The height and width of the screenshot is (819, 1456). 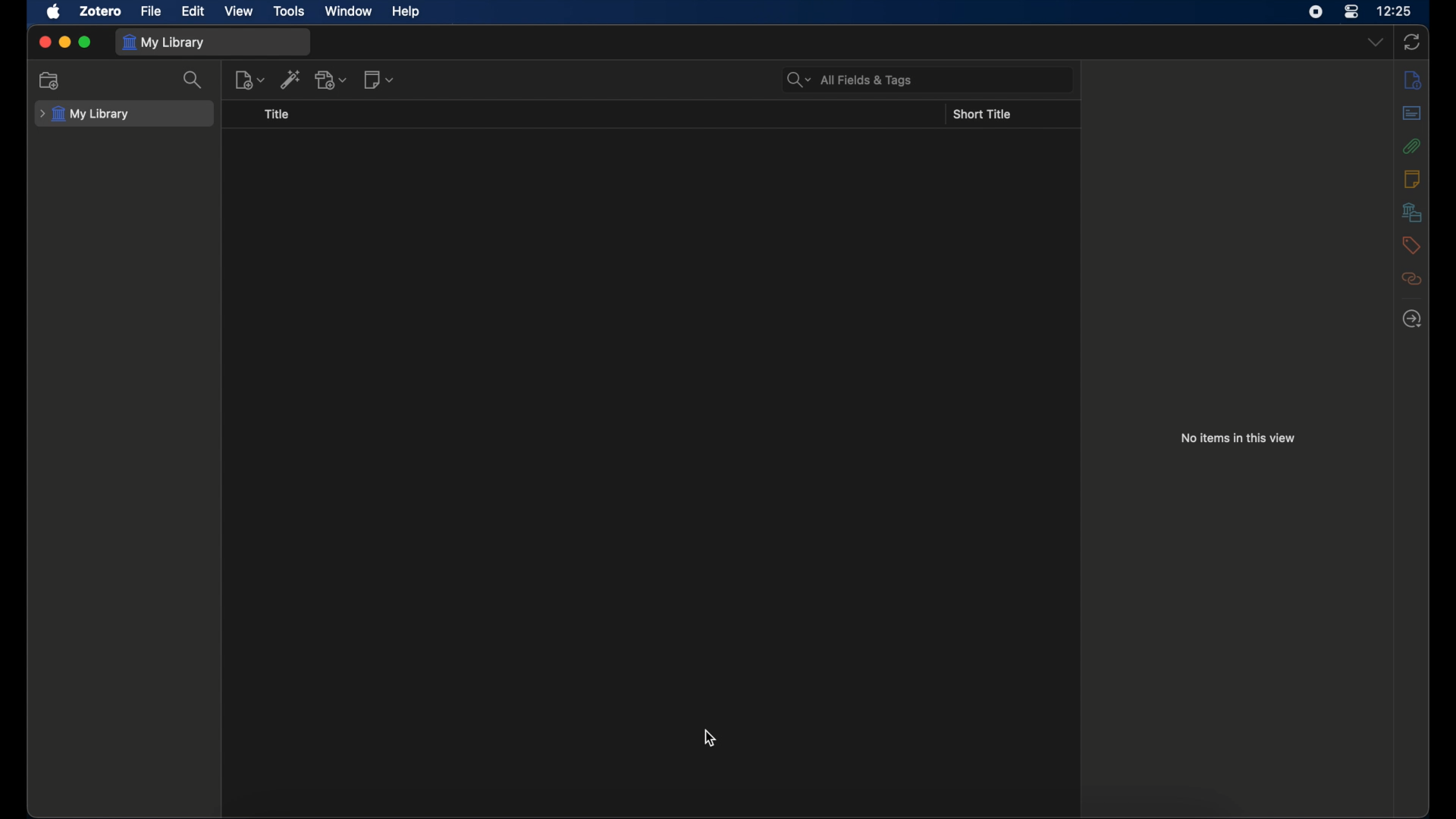 What do you see at coordinates (1375, 41) in the screenshot?
I see `dropdown` at bounding box center [1375, 41].